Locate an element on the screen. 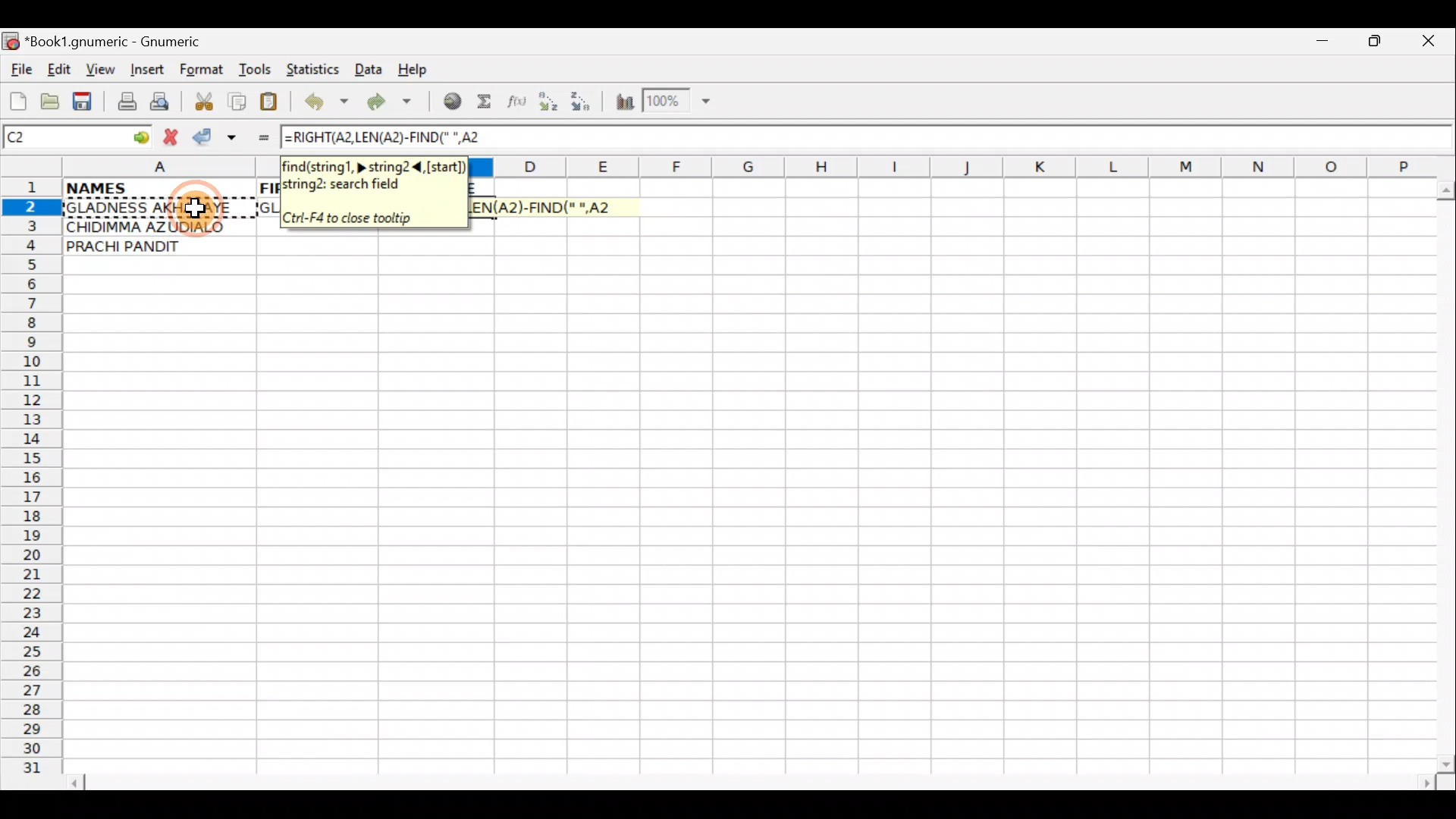 This screenshot has height=819, width=1456. File is located at coordinates (20, 71).